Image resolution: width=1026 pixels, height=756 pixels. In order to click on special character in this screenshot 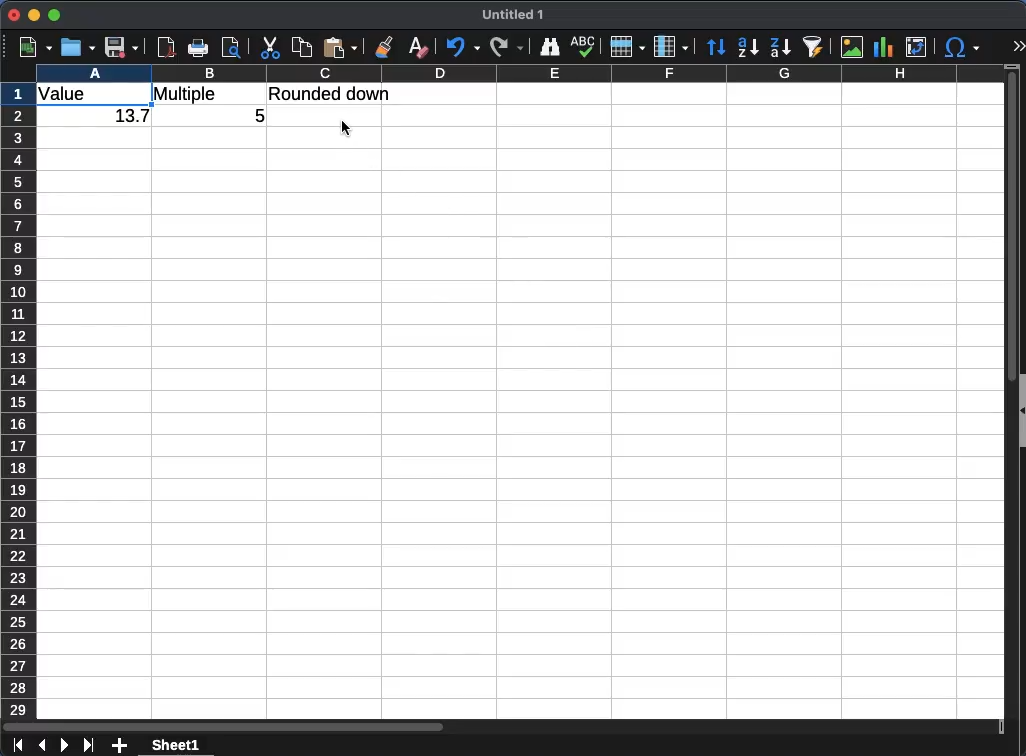, I will do `click(962, 47)`.